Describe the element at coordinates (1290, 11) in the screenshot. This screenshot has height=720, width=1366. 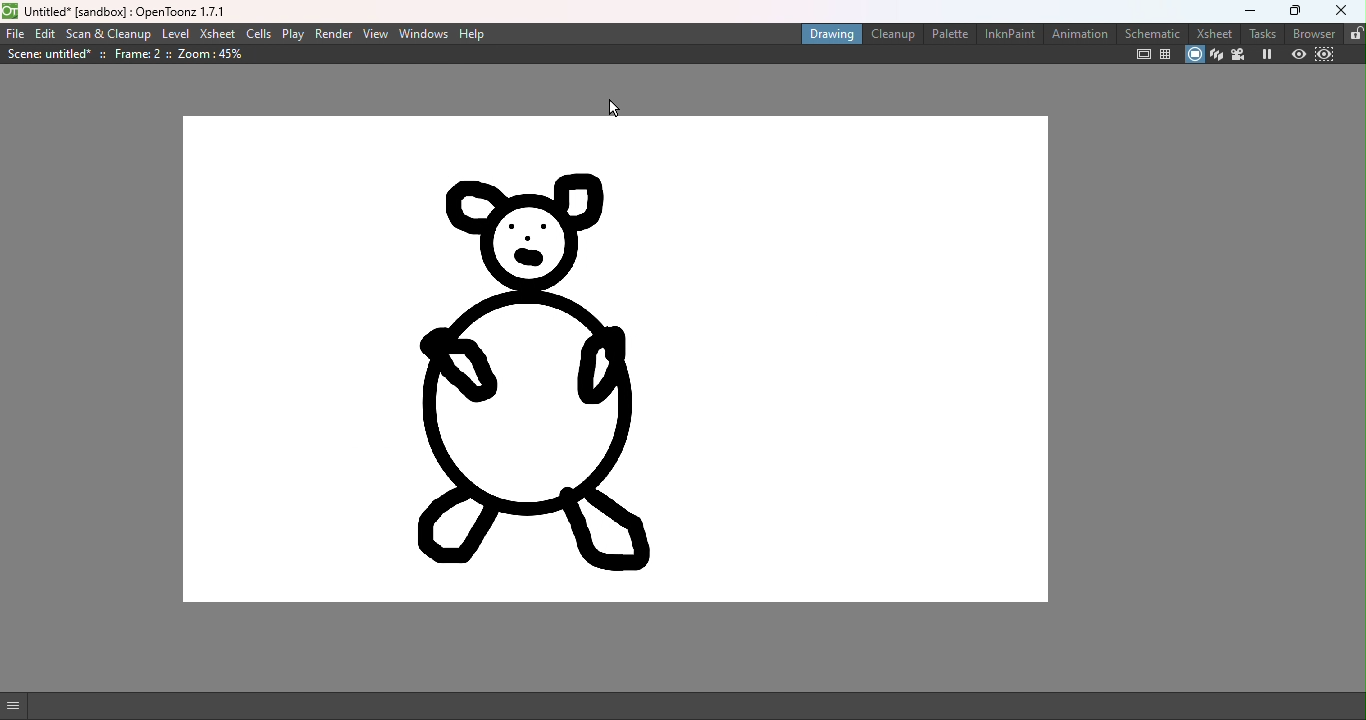
I see `maximize` at that location.